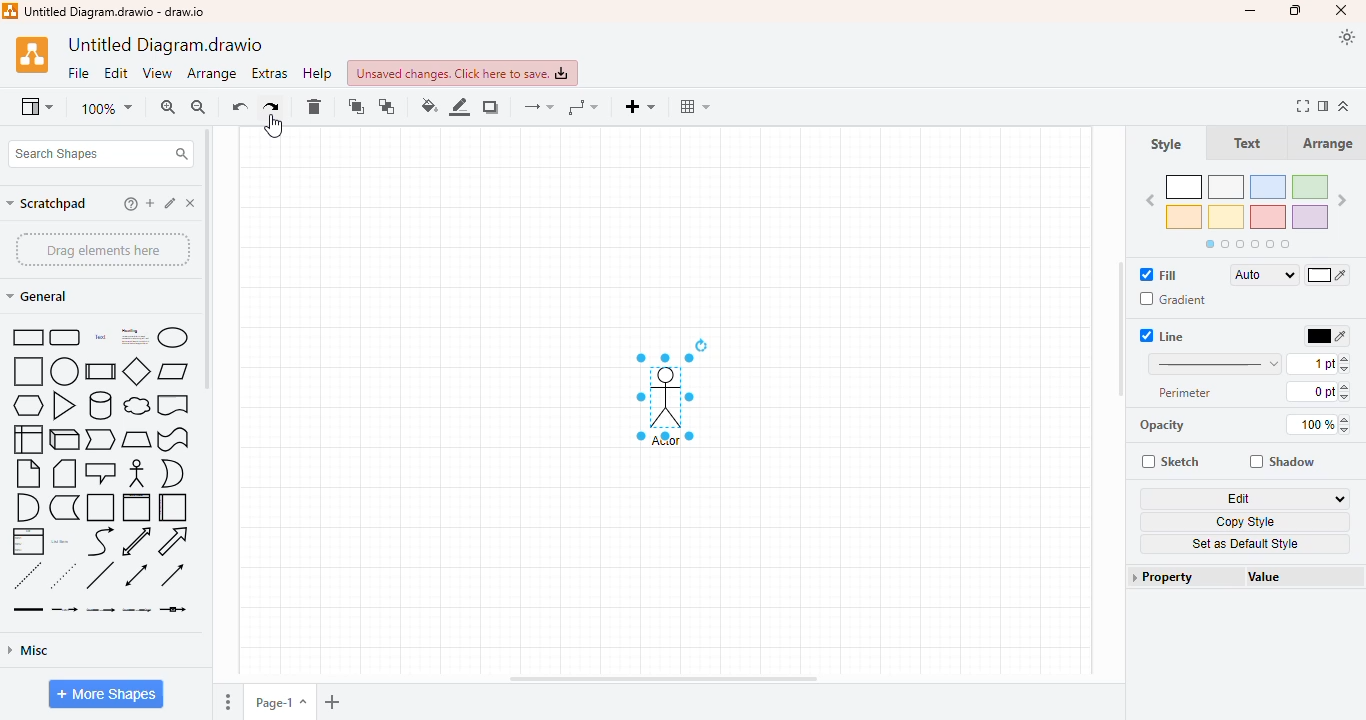  I want to click on text, so click(1247, 143).